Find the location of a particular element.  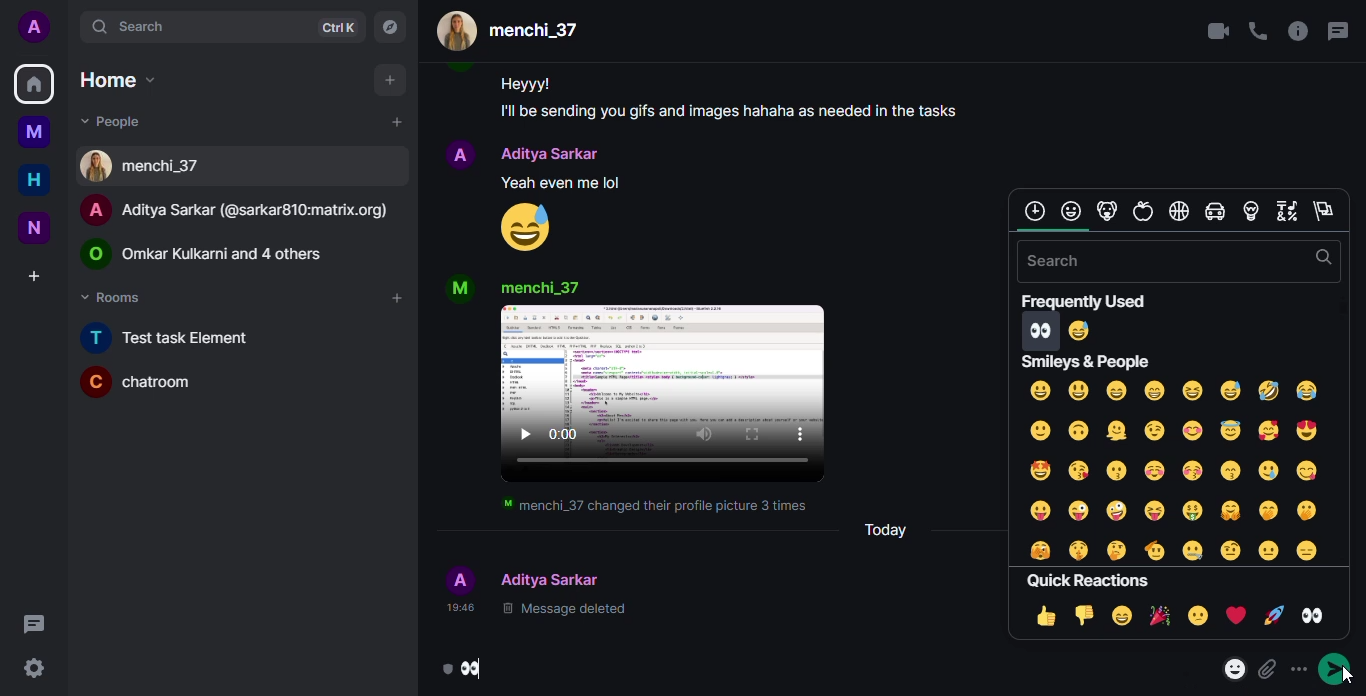

menchi_37 changed their profile picture 3 times is located at coordinates (654, 507).